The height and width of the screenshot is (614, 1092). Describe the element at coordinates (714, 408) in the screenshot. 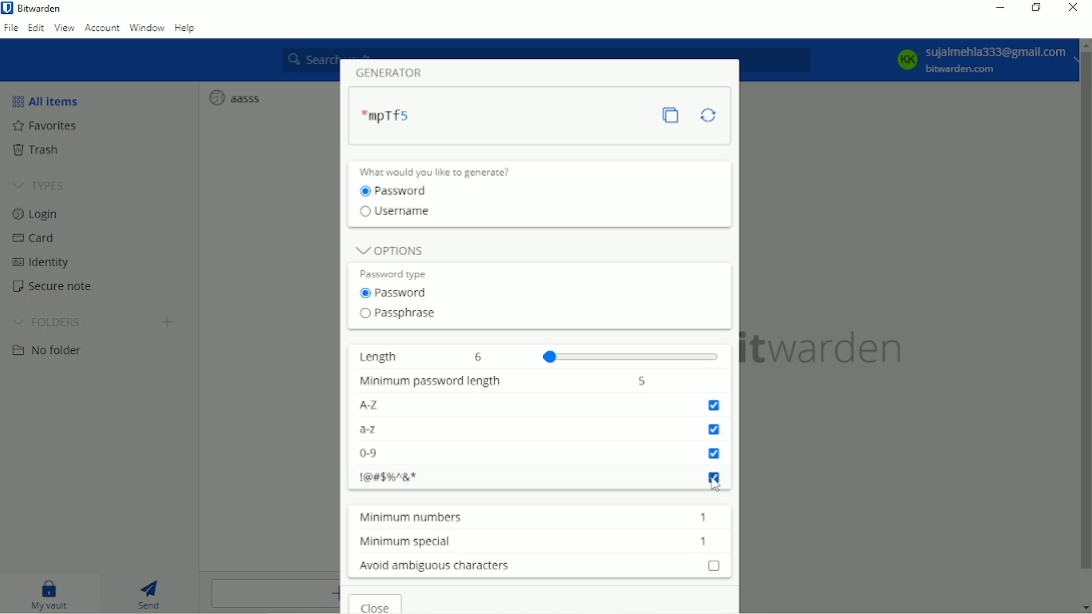

I see `uppercase letters checkbox` at that location.